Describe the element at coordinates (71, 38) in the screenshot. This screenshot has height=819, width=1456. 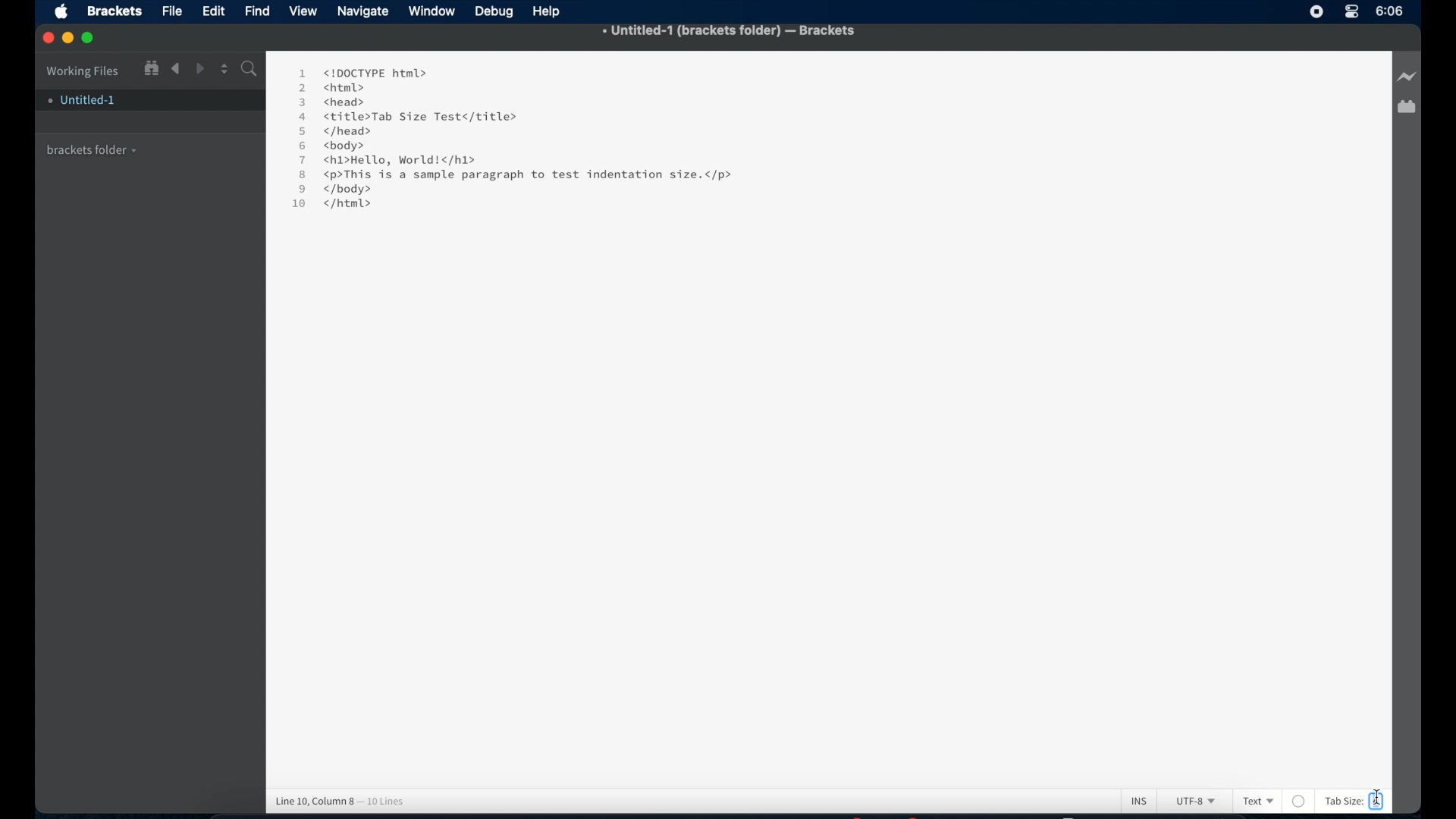
I see `Minimize` at that location.